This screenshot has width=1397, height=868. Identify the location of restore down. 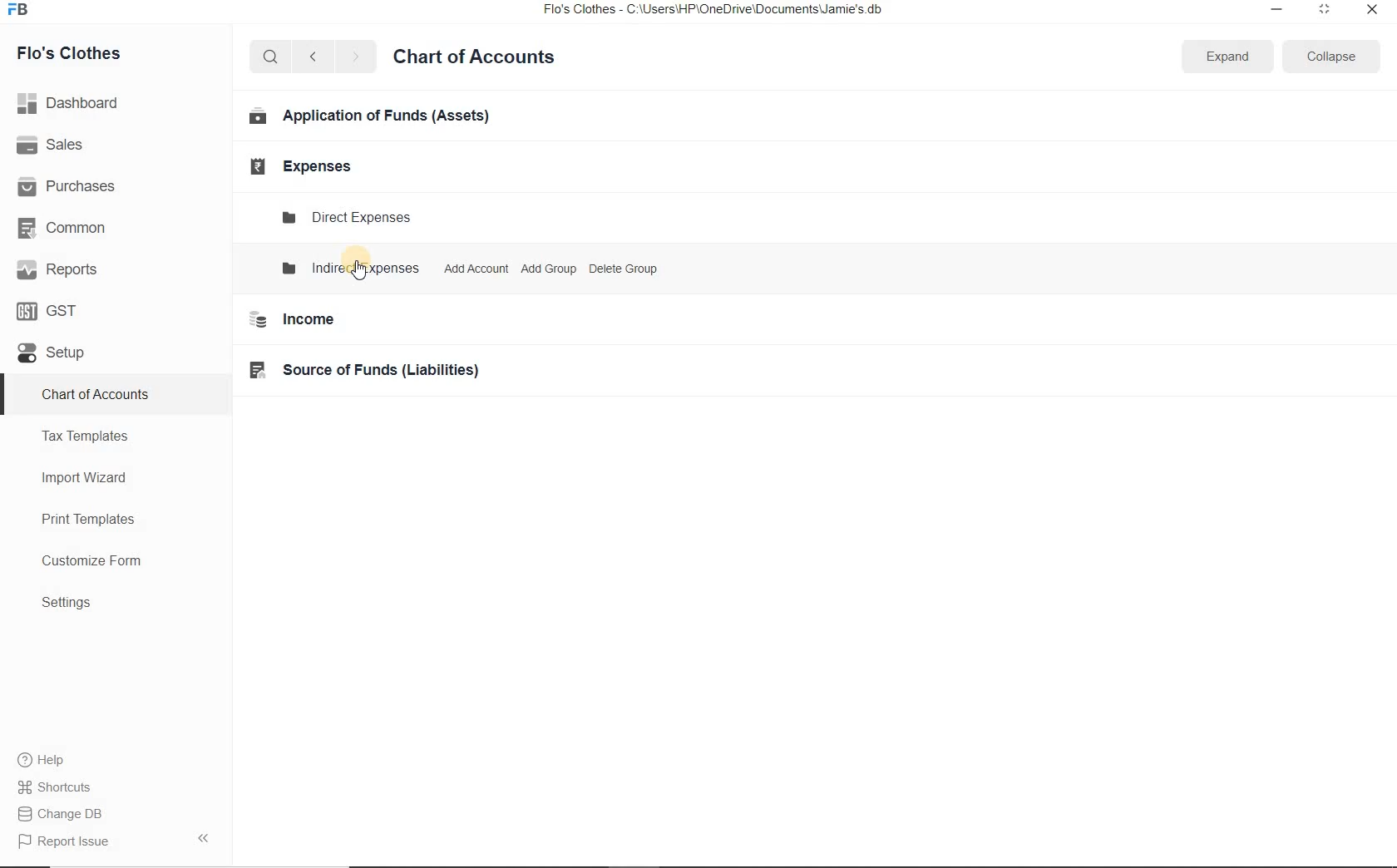
(1323, 12).